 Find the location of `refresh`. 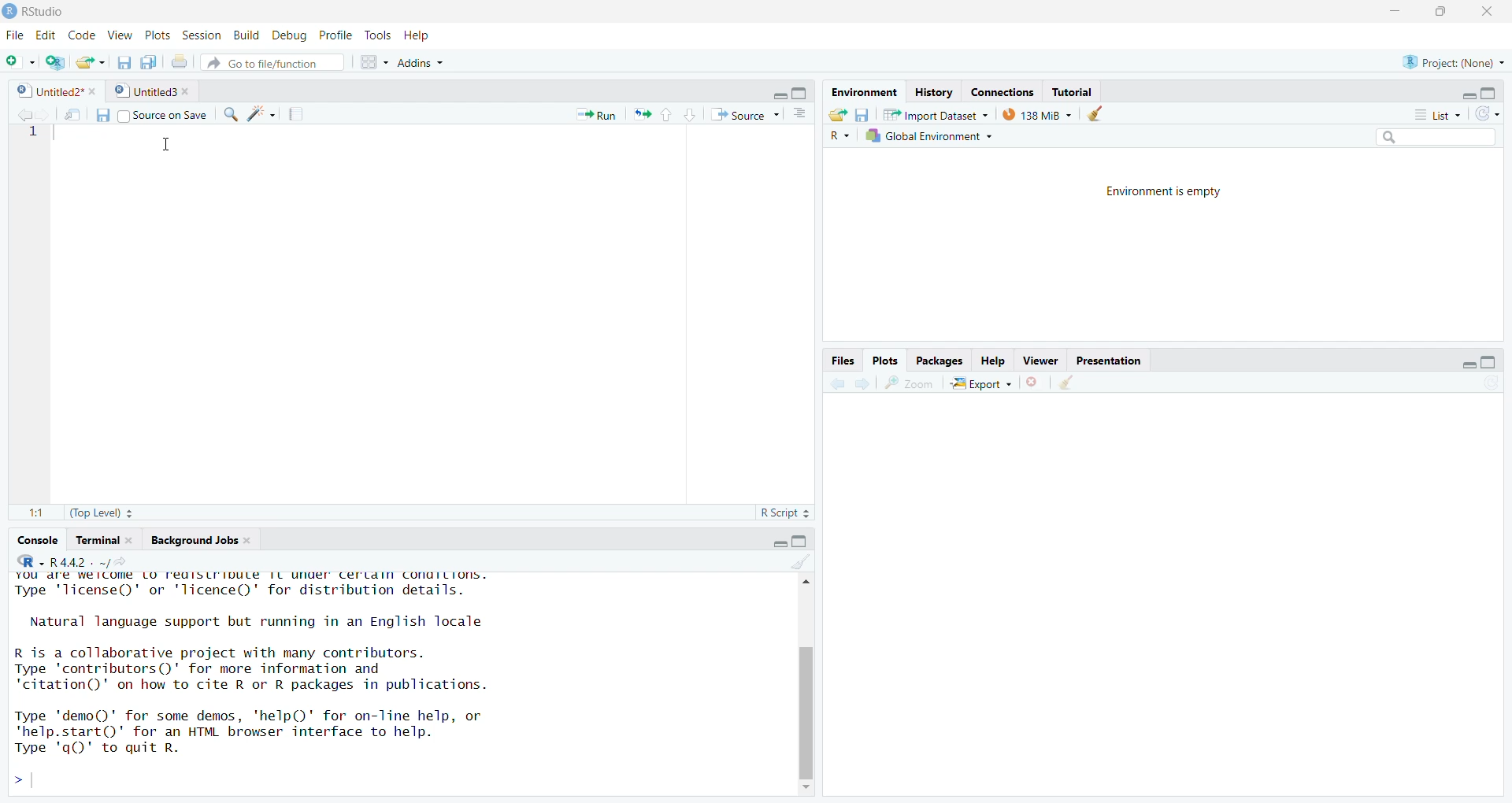

refresh is located at coordinates (1492, 113).